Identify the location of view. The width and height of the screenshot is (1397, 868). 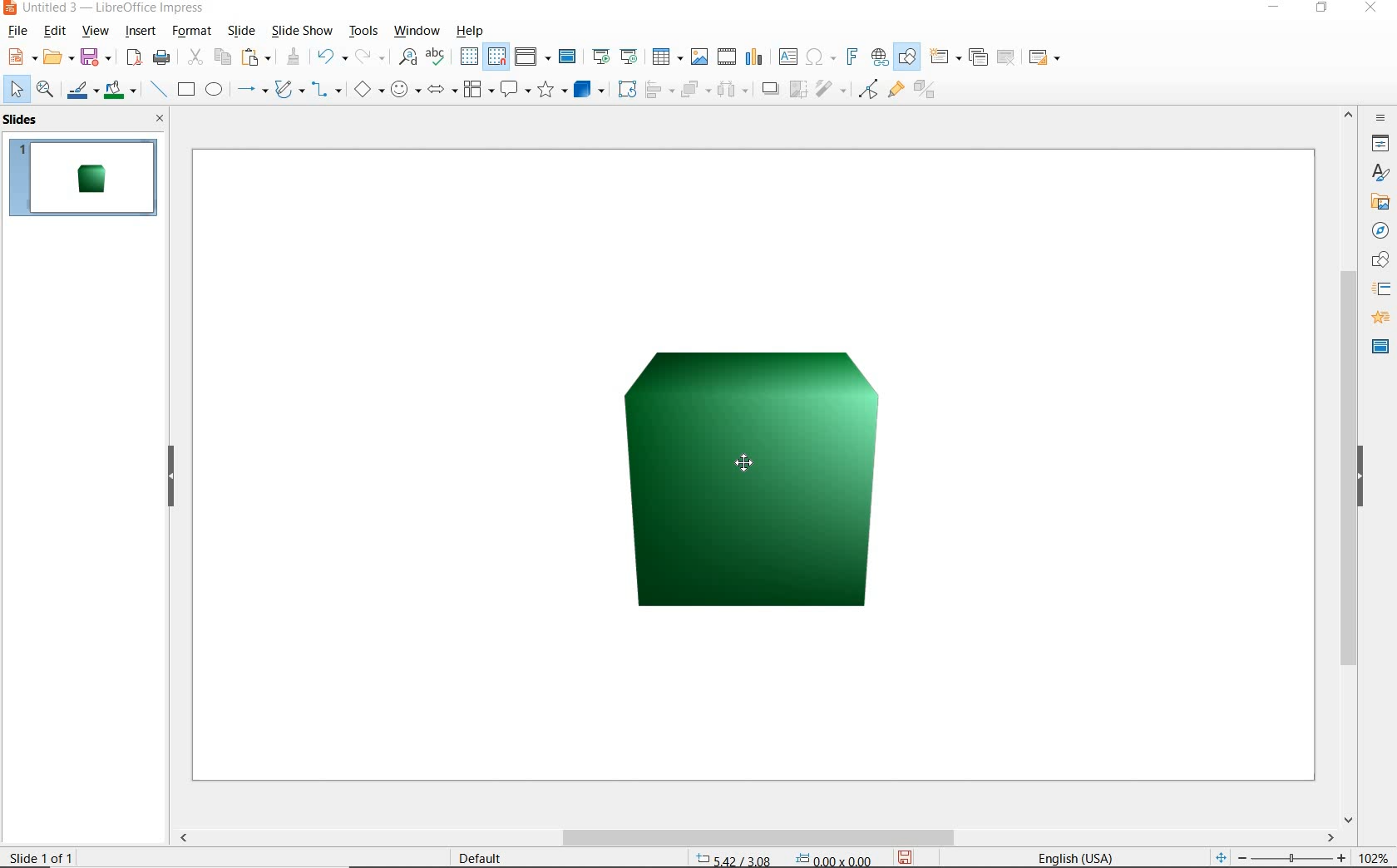
(96, 31).